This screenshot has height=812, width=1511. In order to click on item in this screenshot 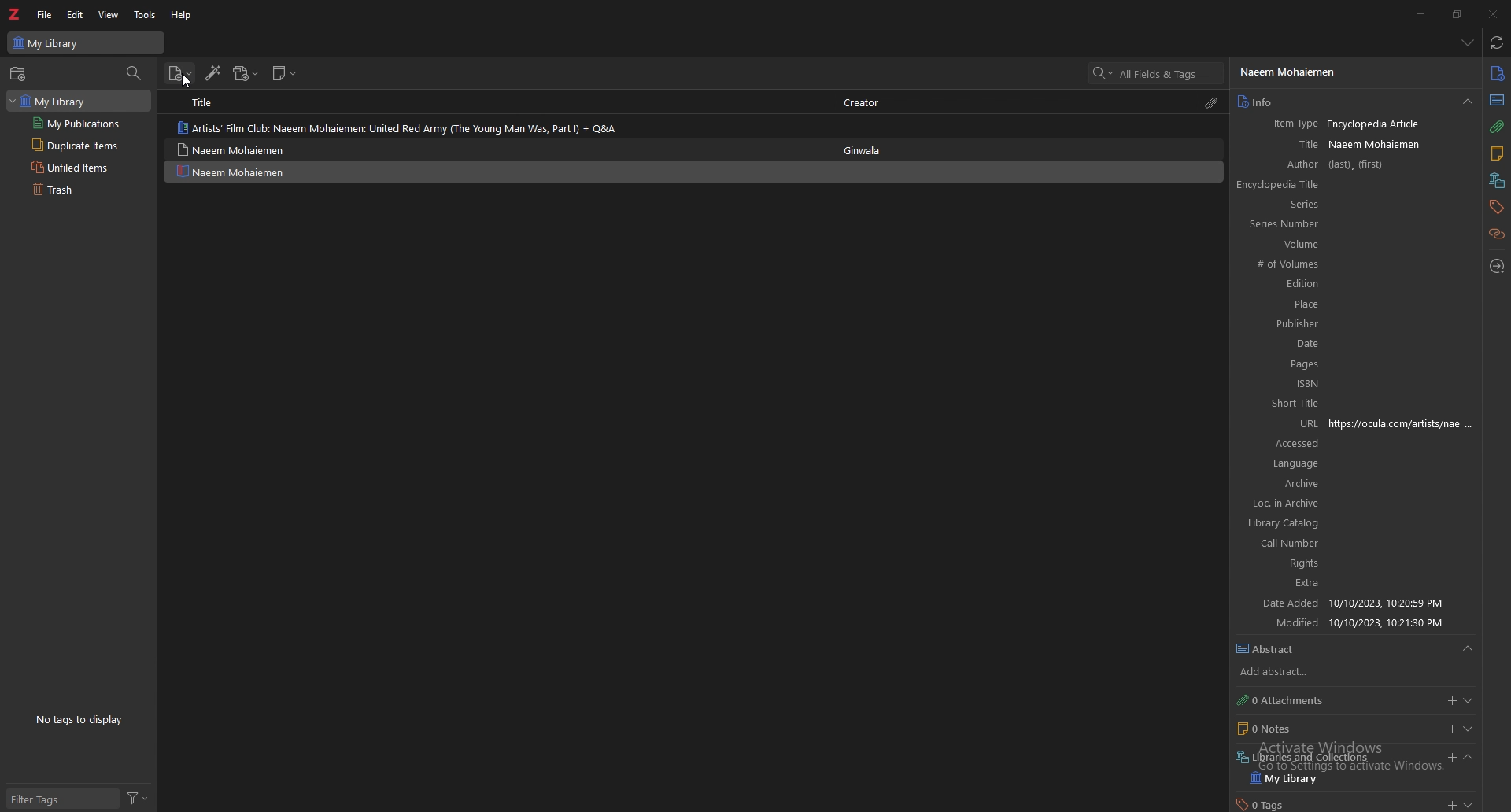, I will do `click(492, 172)`.